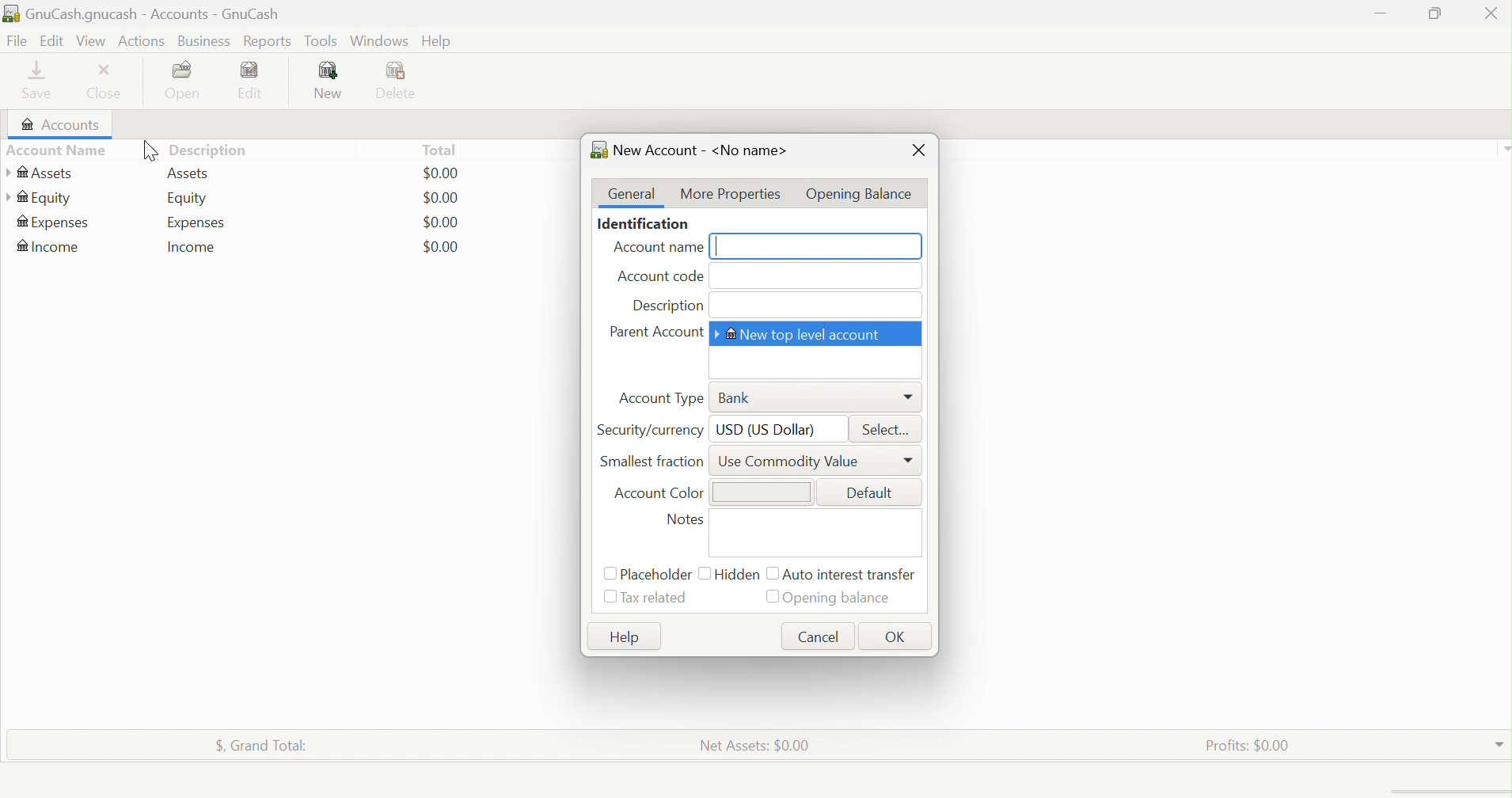 This screenshot has width=1512, height=798. What do you see at coordinates (735, 398) in the screenshot?
I see `Bank` at bounding box center [735, 398].